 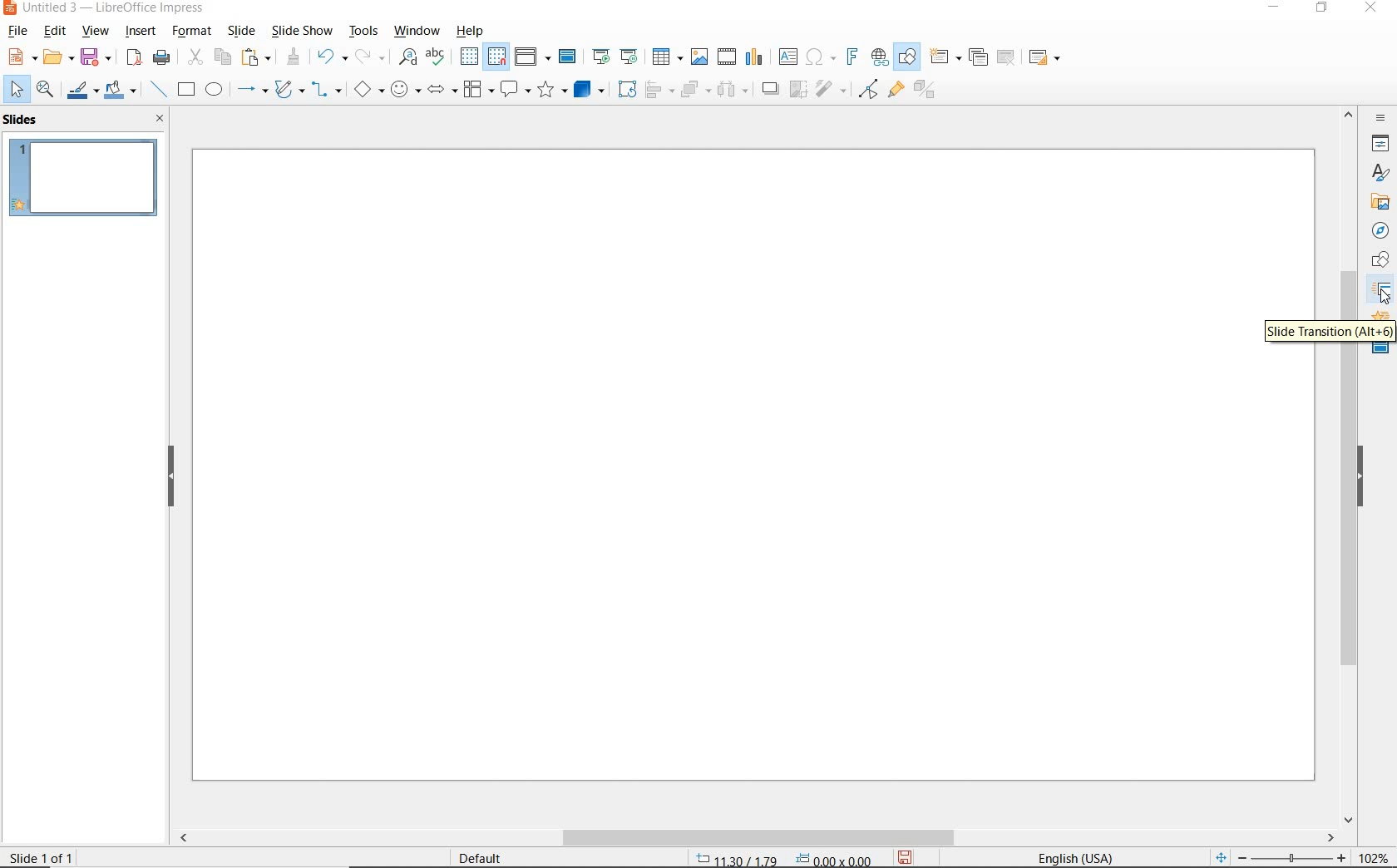 I want to click on STARS AND BANNERS, so click(x=550, y=90).